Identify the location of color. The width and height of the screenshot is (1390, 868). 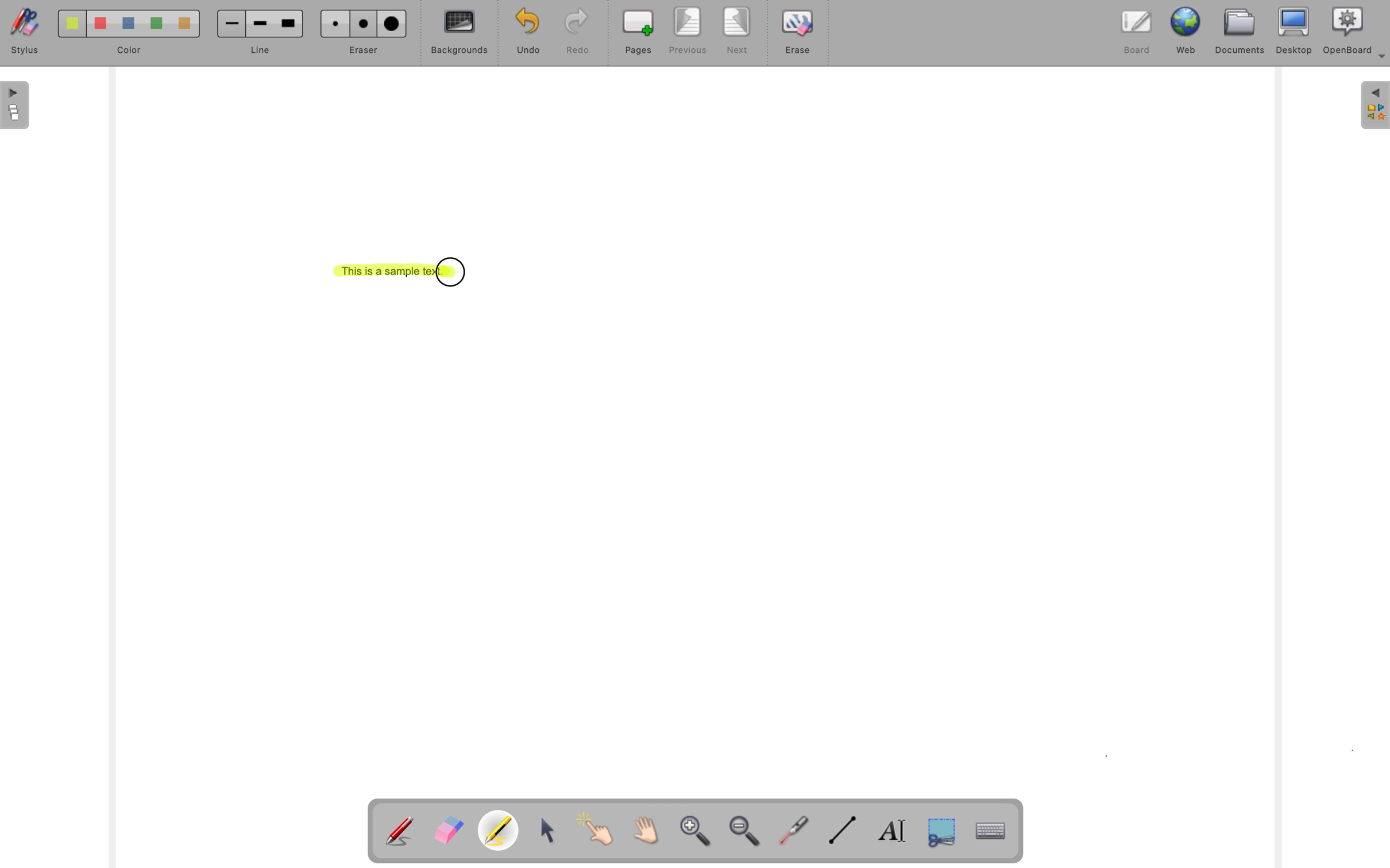
(130, 51).